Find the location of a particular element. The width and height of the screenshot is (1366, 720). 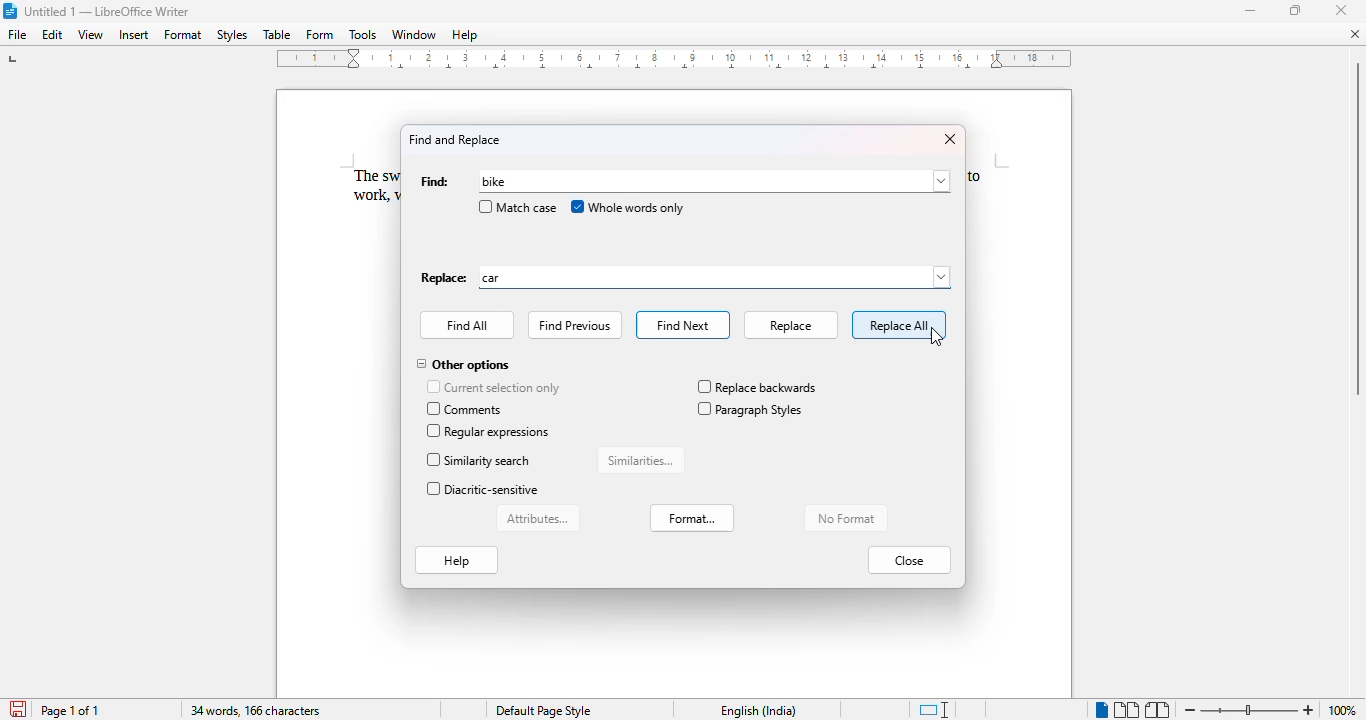

similarities is located at coordinates (641, 460).